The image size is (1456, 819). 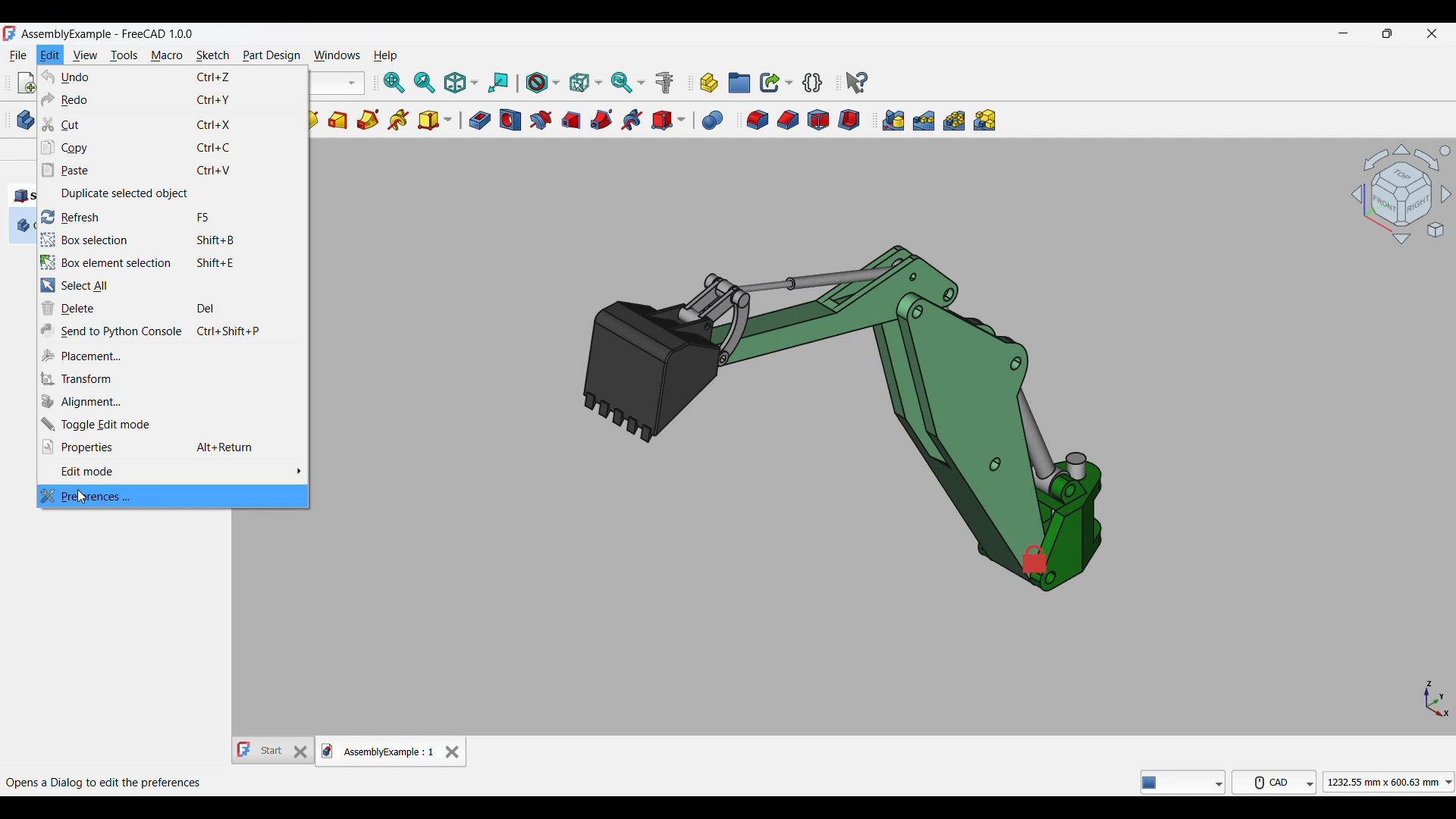 What do you see at coordinates (713, 121) in the screenshot?
I see `Boolean operation` at bounding box center [713, 121].